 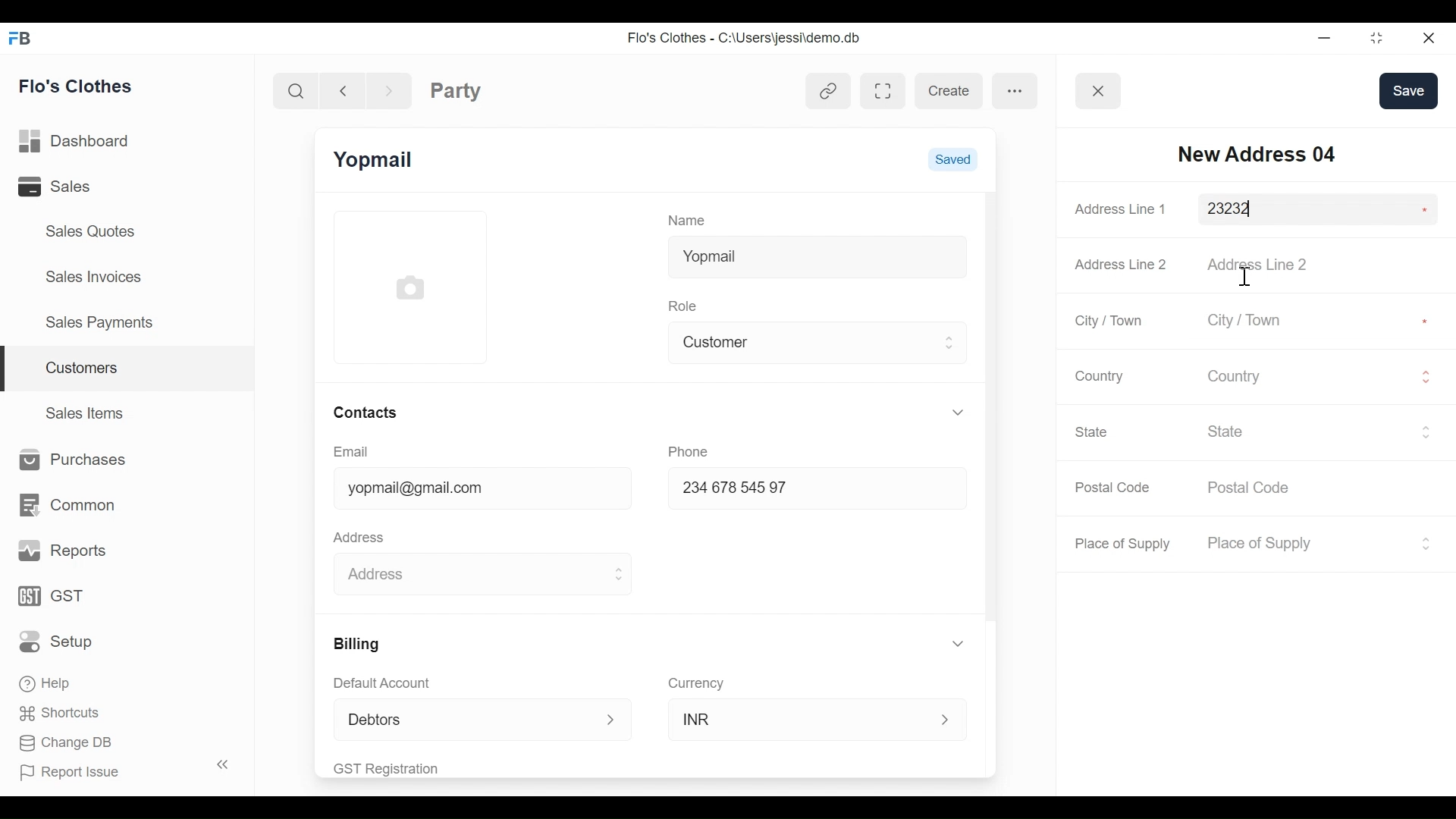 What do you see at coordinates (47, 681) in the screenshot?
I see `Help` at bounding box center [47, 681].